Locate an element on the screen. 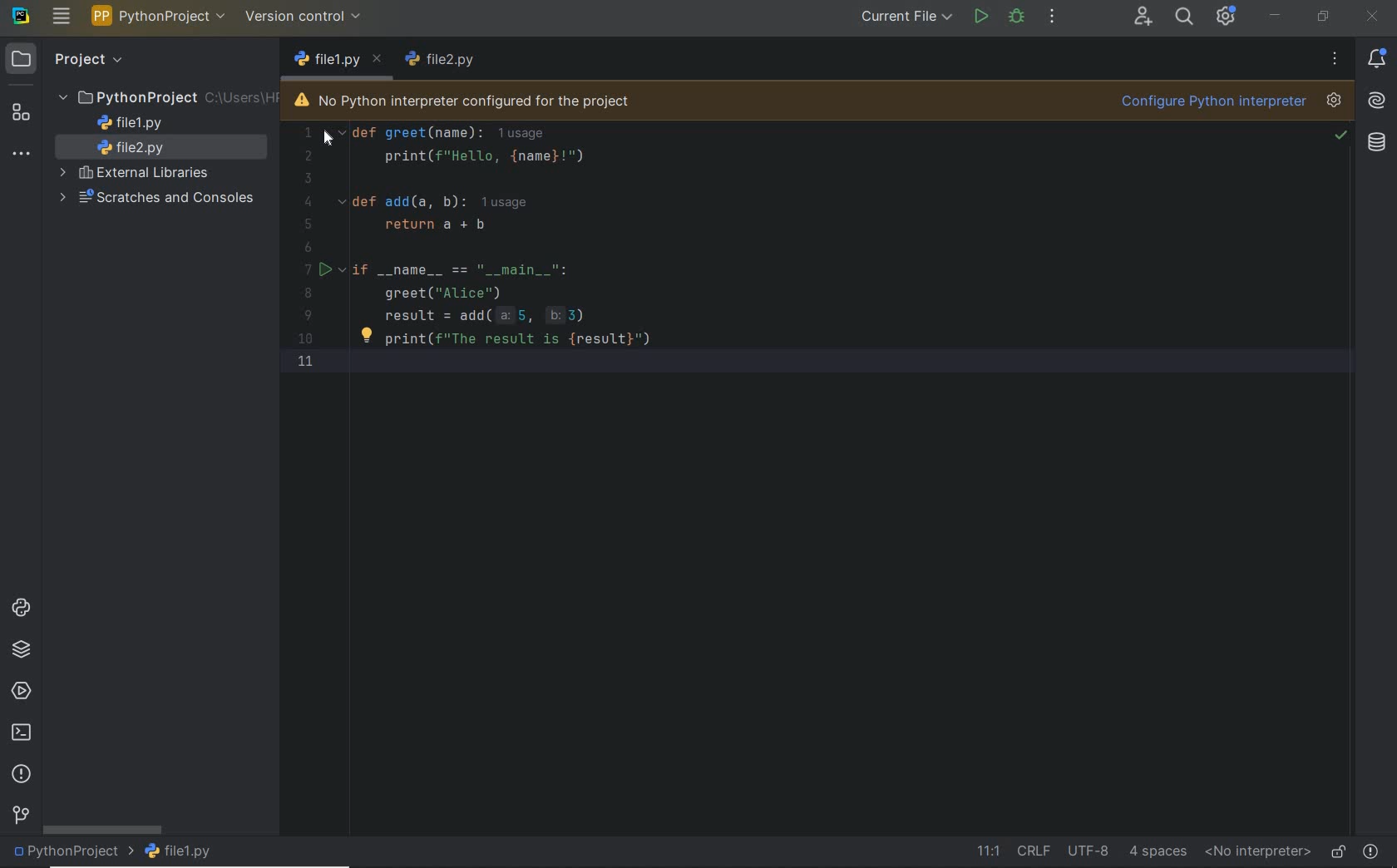 The image size is (1397, 868). codes is located at coordinates (623, 259).